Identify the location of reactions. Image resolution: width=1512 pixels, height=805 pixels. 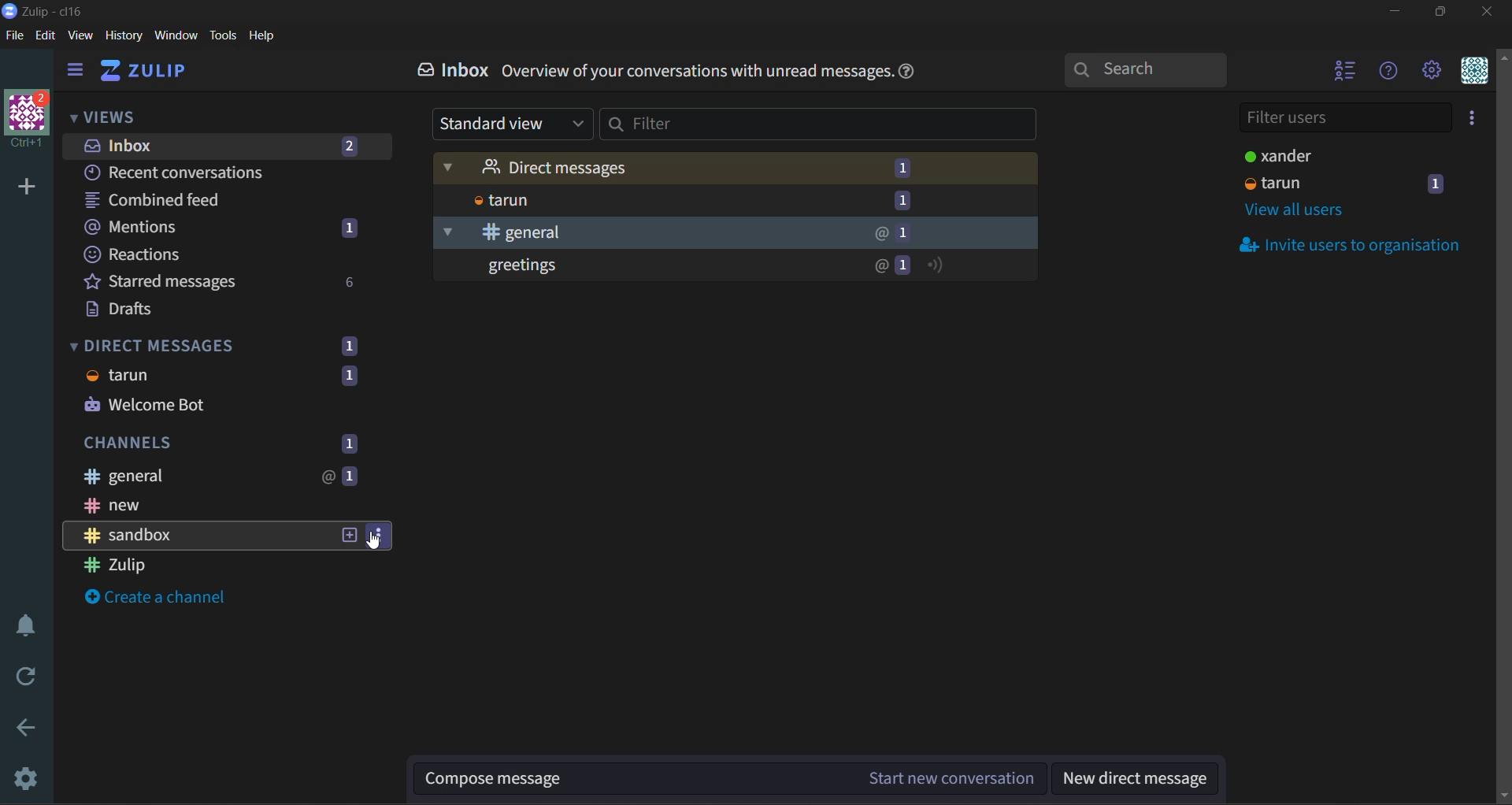
(187, 257).